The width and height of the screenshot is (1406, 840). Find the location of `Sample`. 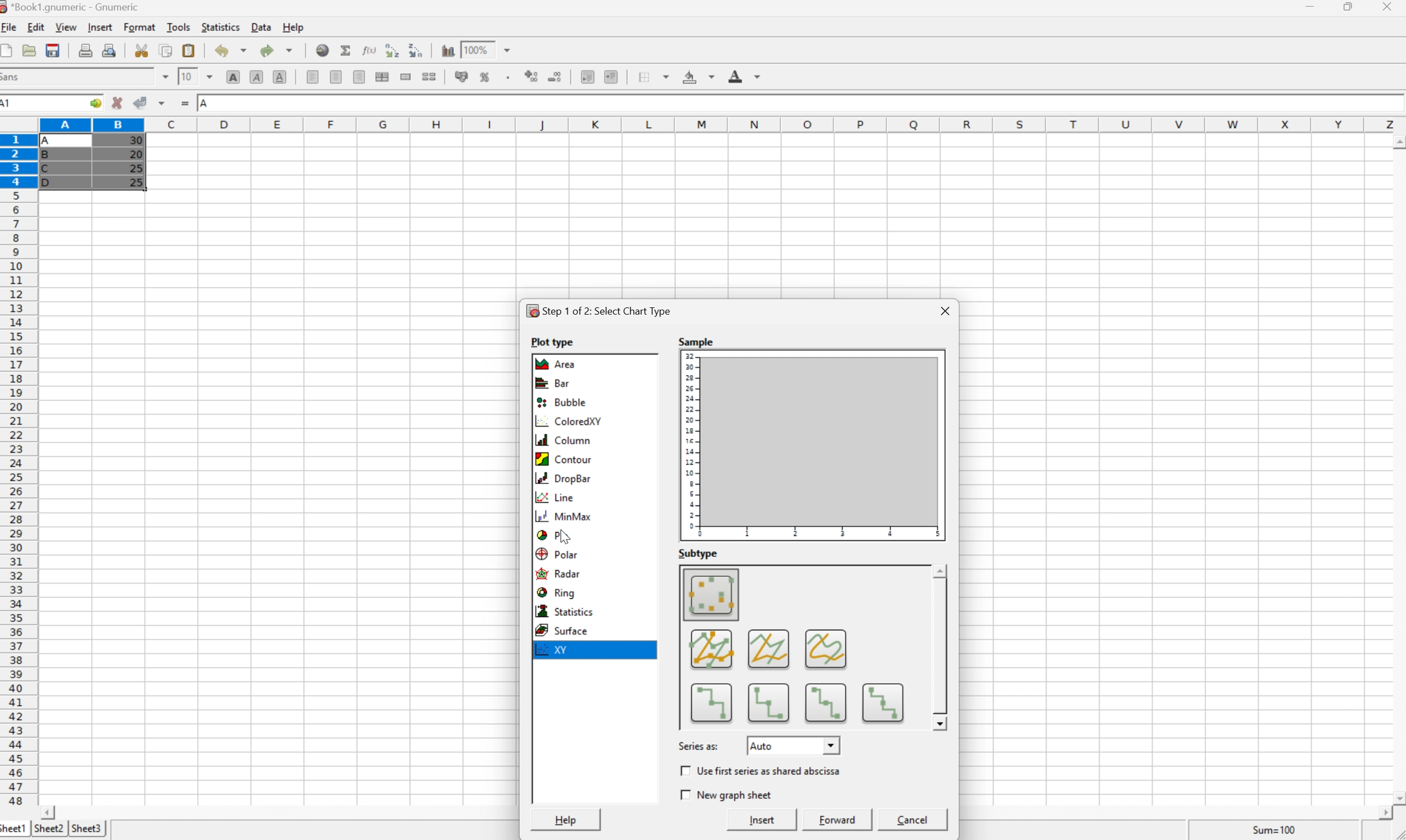

Sample is located at coordinates (698, 341).